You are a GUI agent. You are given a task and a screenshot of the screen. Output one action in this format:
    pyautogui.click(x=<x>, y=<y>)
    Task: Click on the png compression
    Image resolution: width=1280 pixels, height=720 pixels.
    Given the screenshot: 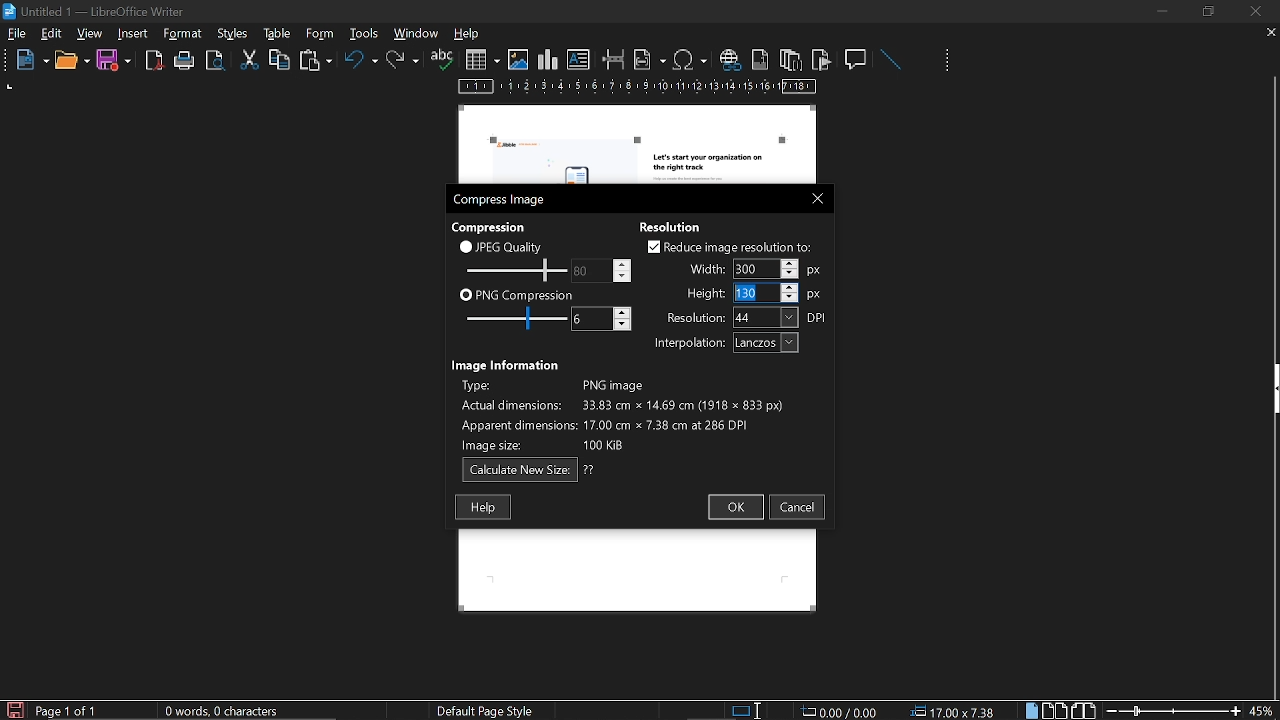 What is the action you would take?
    pyautogui.click(x=517, y=294)
    